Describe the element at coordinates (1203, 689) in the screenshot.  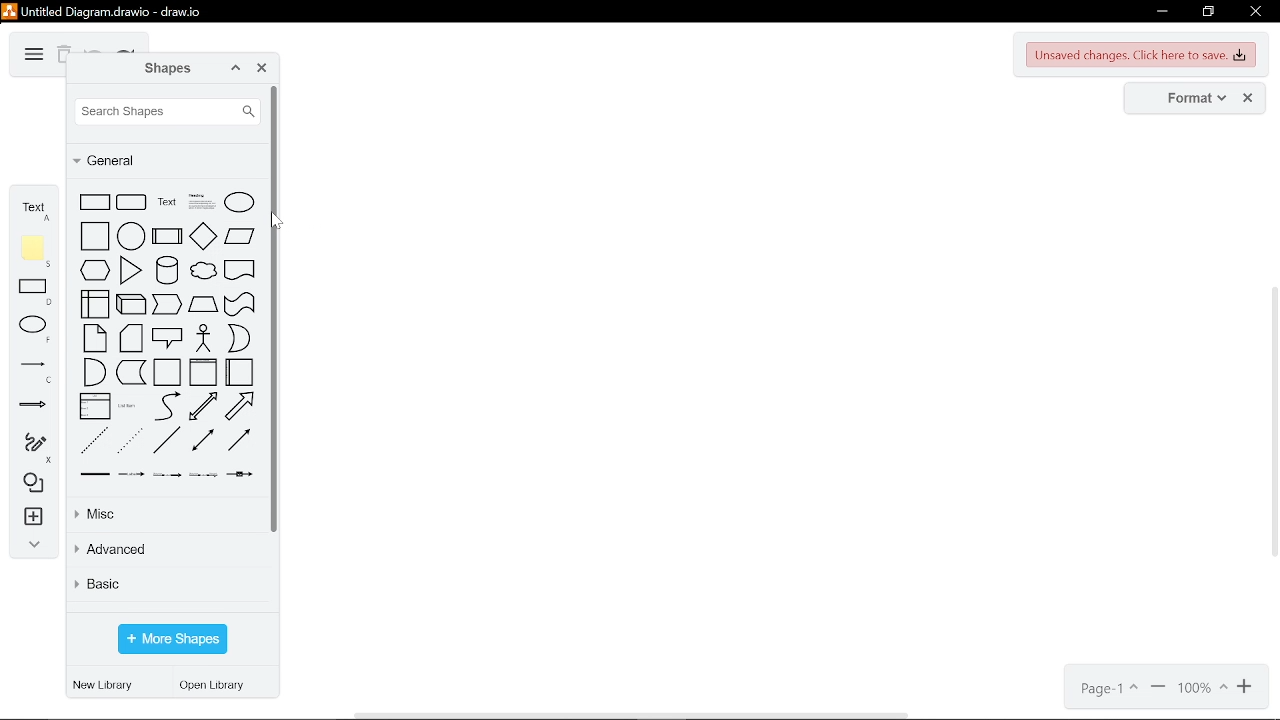
I see `current zoom` at that location.